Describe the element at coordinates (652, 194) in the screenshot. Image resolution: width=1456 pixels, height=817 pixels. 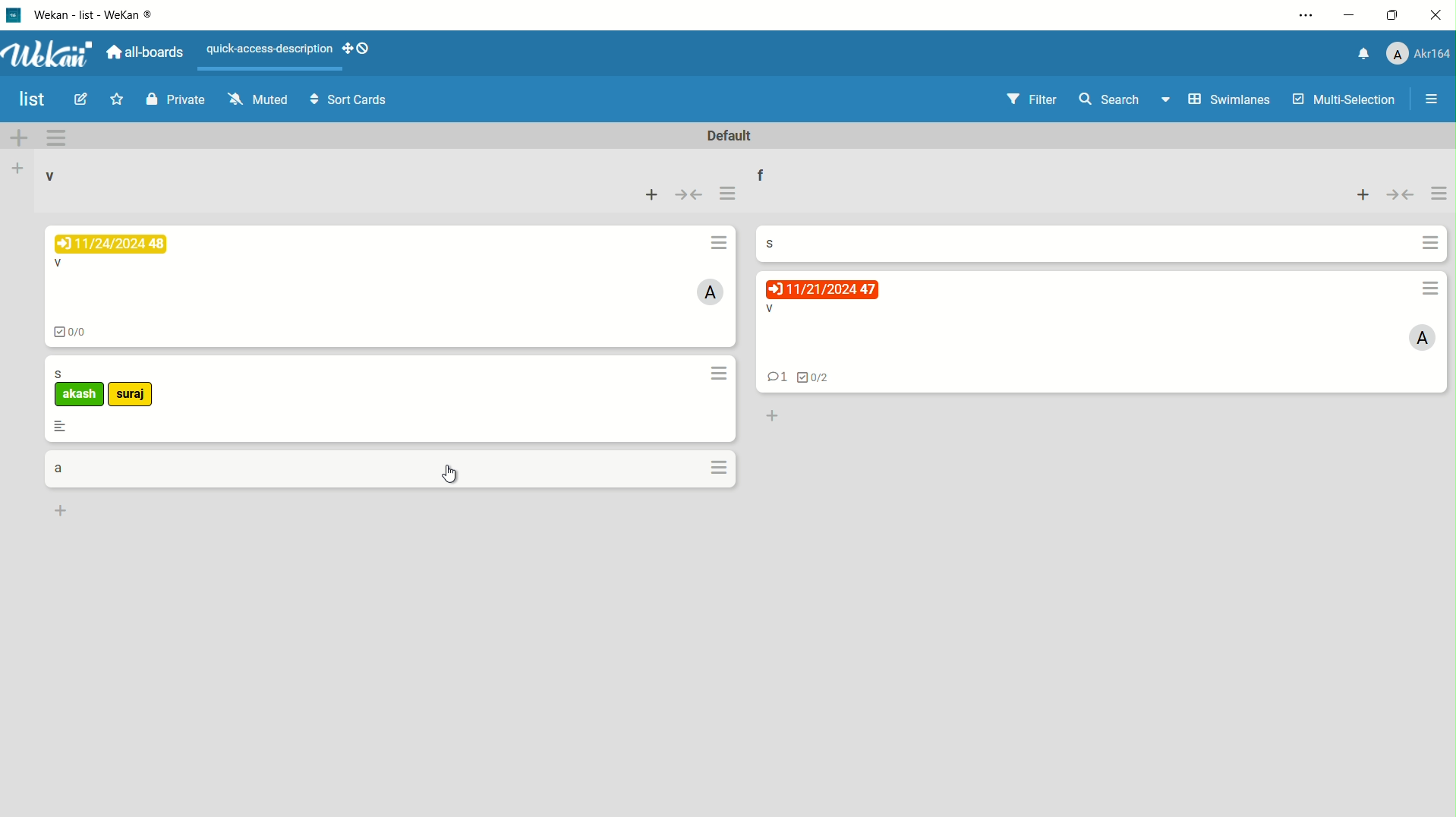
I see `add card to top of list` at that location.